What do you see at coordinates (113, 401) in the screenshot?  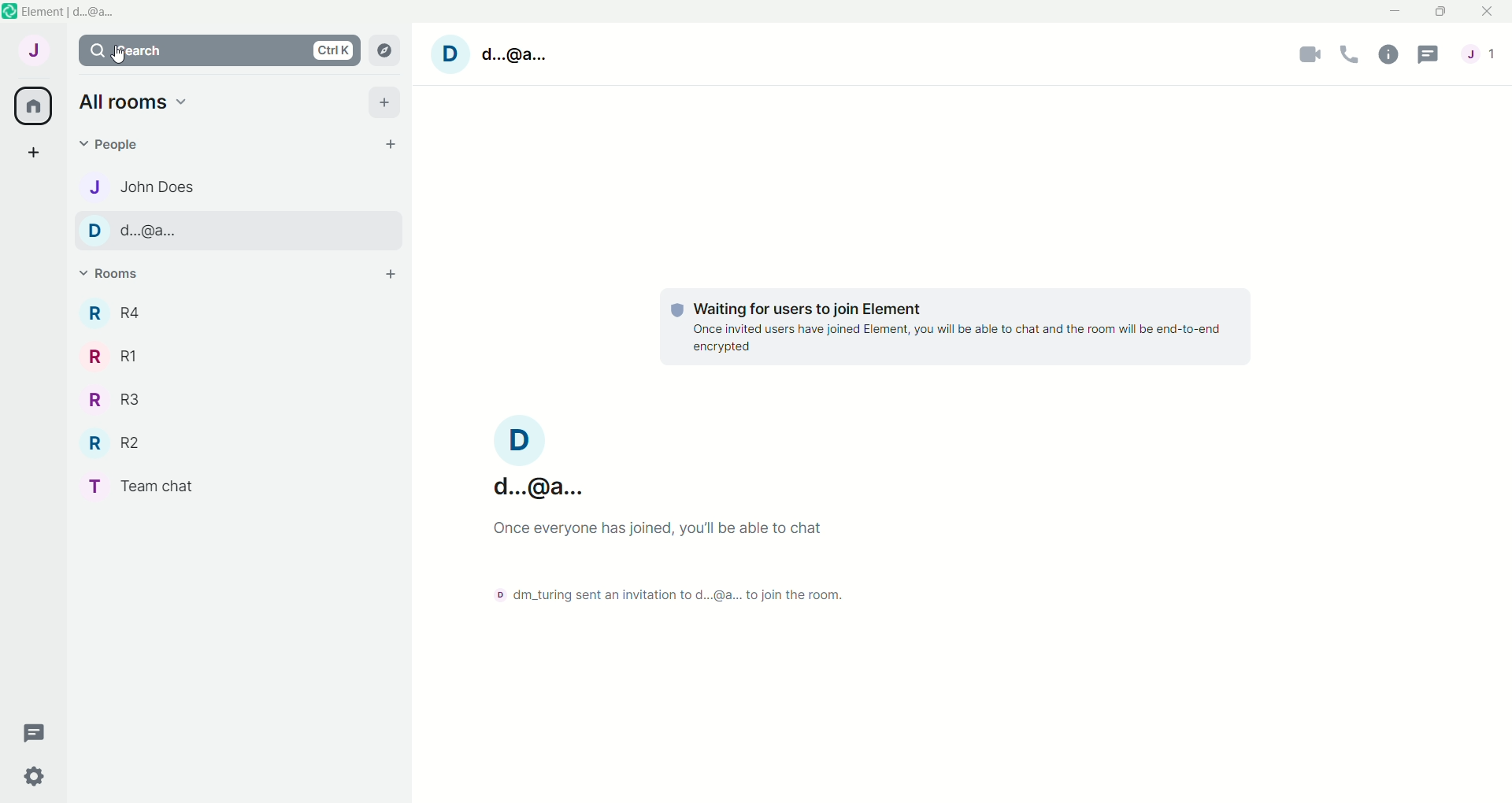 I see `3` at bounding box center [113, 401].